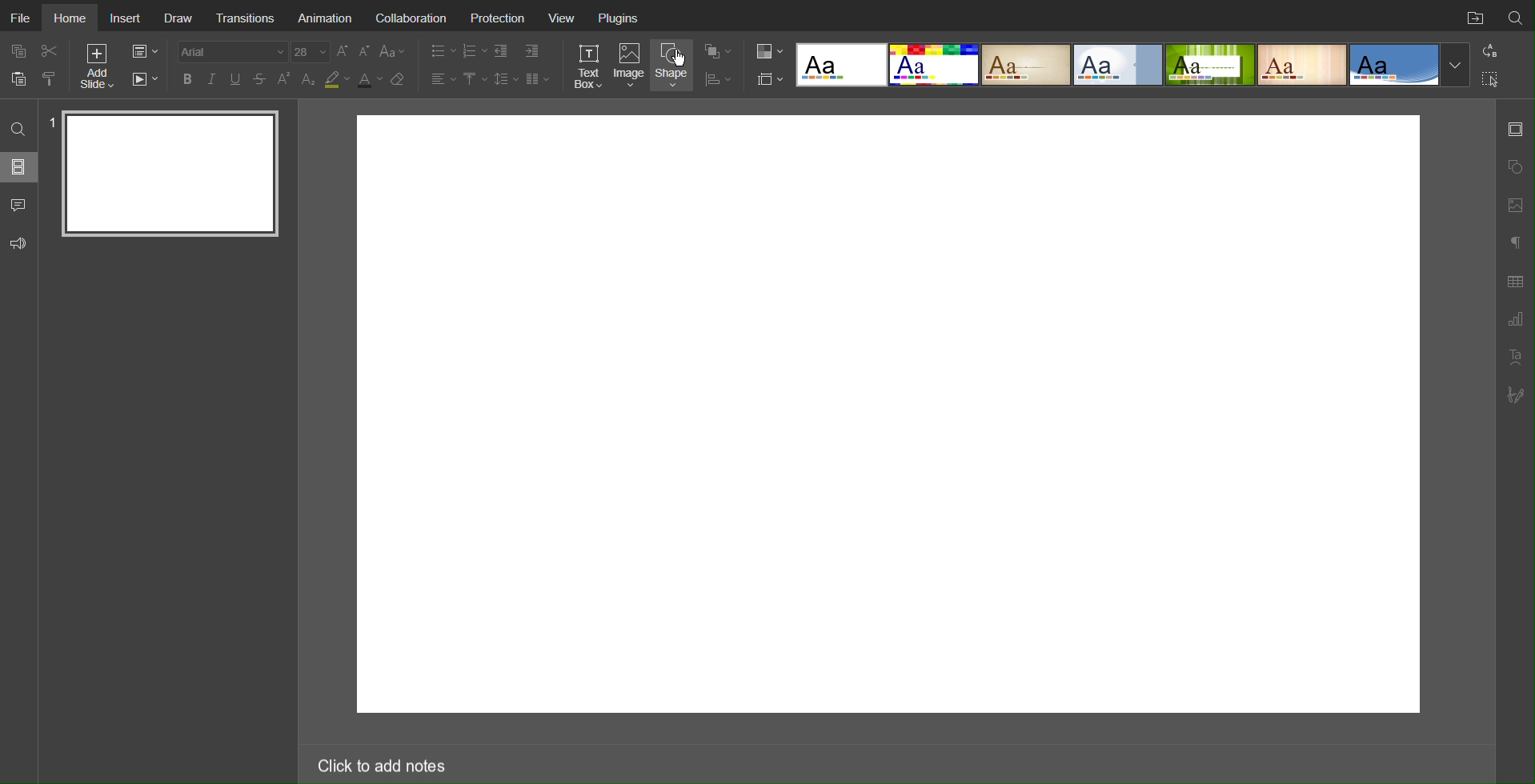 The image size is (1535, 784). I want to click on Add Slide, so click(96, 69).